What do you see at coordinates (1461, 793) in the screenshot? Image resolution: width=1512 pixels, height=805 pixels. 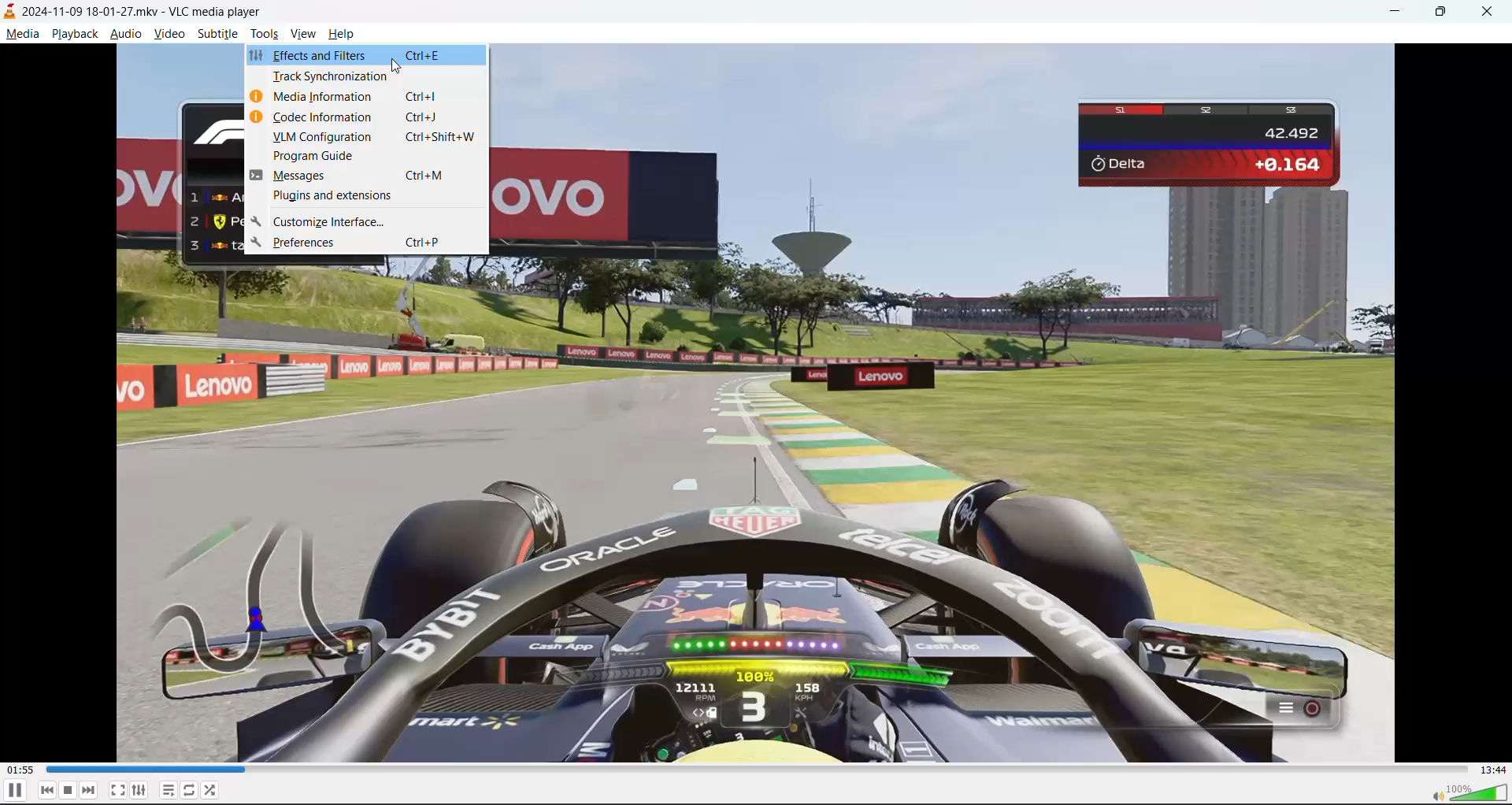 I see `volume` at bounding box center [1461, 793].